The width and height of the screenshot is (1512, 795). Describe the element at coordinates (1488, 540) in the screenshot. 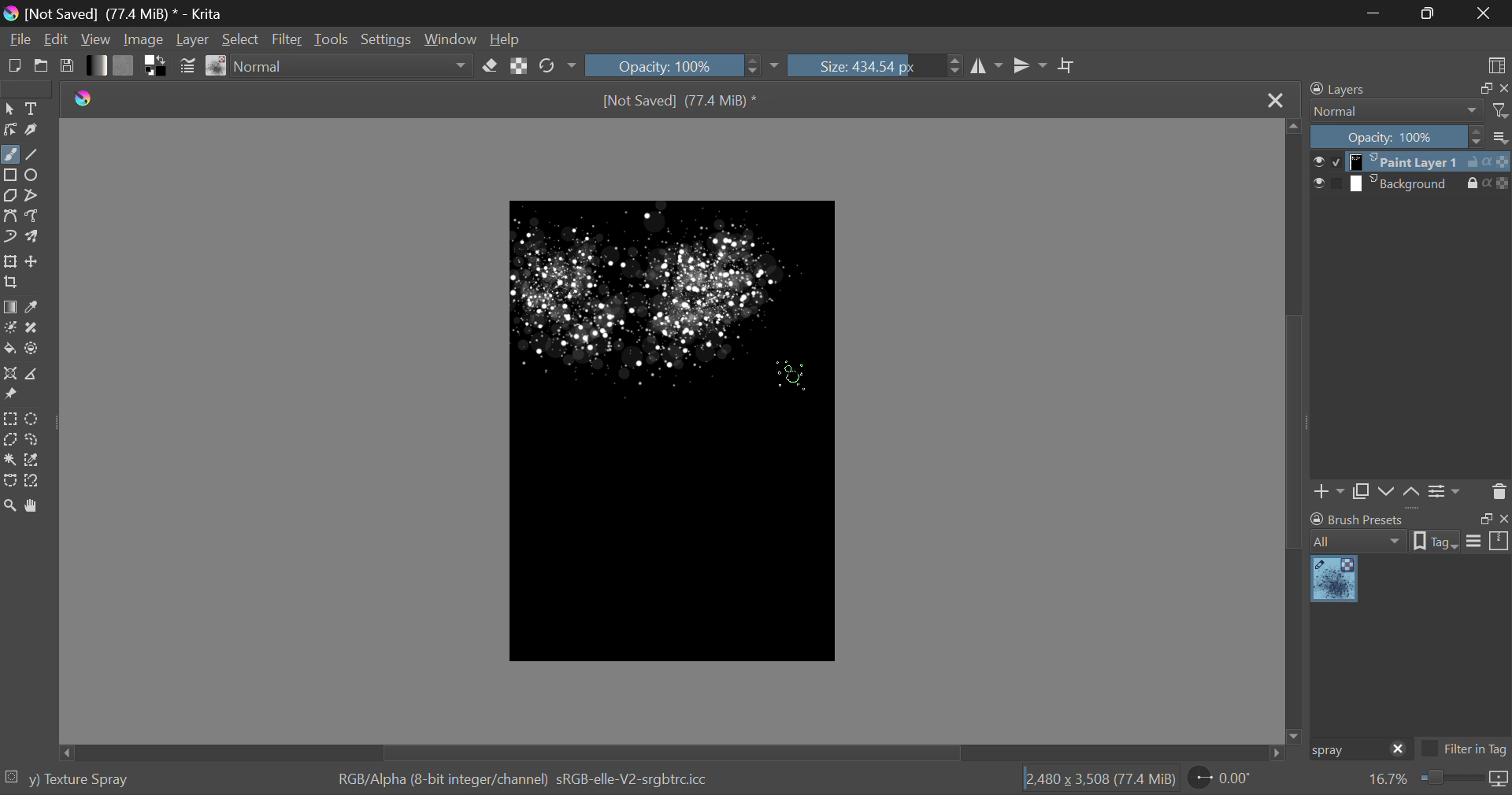

I see `options` at that location.